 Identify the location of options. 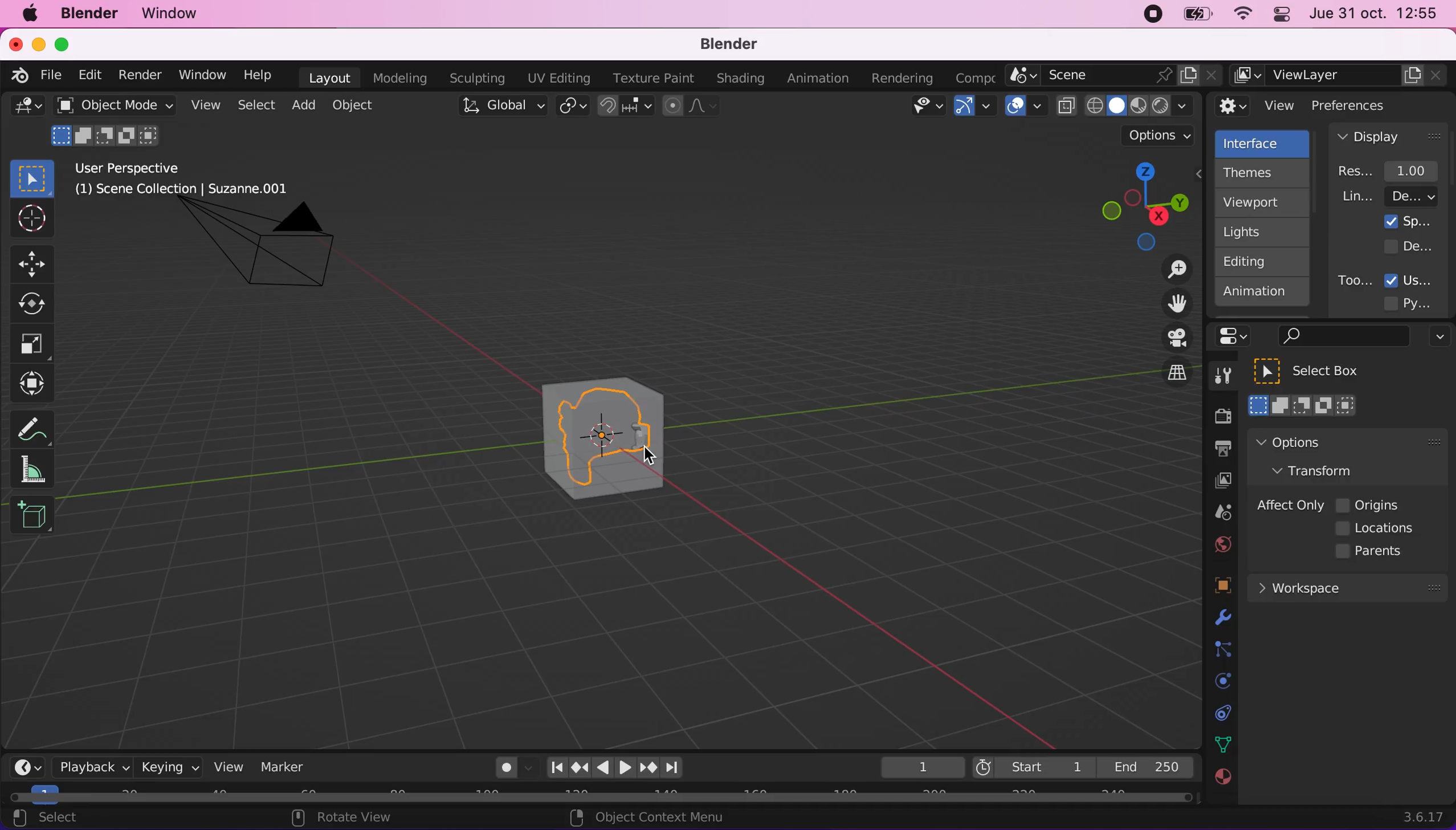
(1437, 338).